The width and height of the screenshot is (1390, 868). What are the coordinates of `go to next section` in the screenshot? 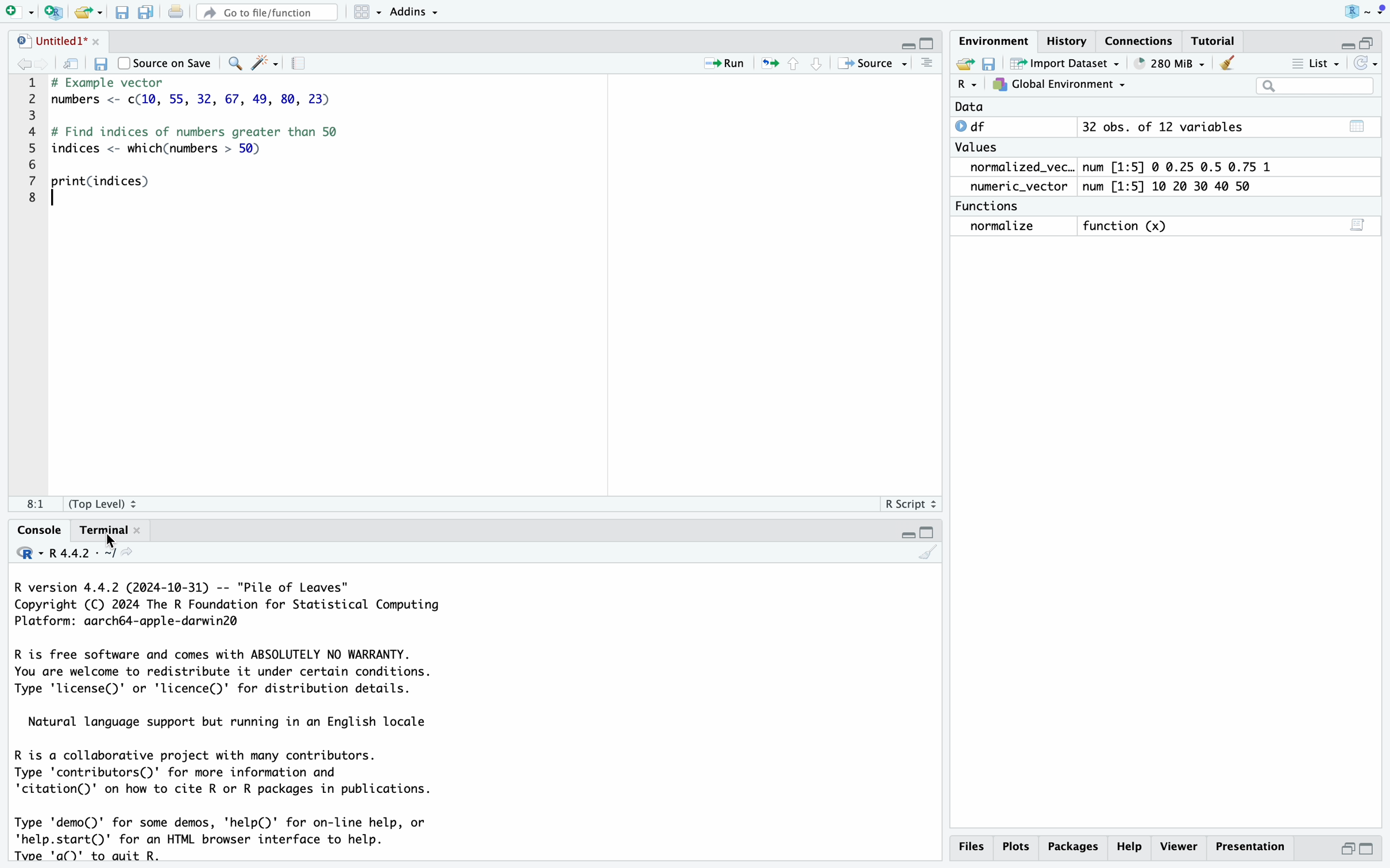 It's located at (817, 63).